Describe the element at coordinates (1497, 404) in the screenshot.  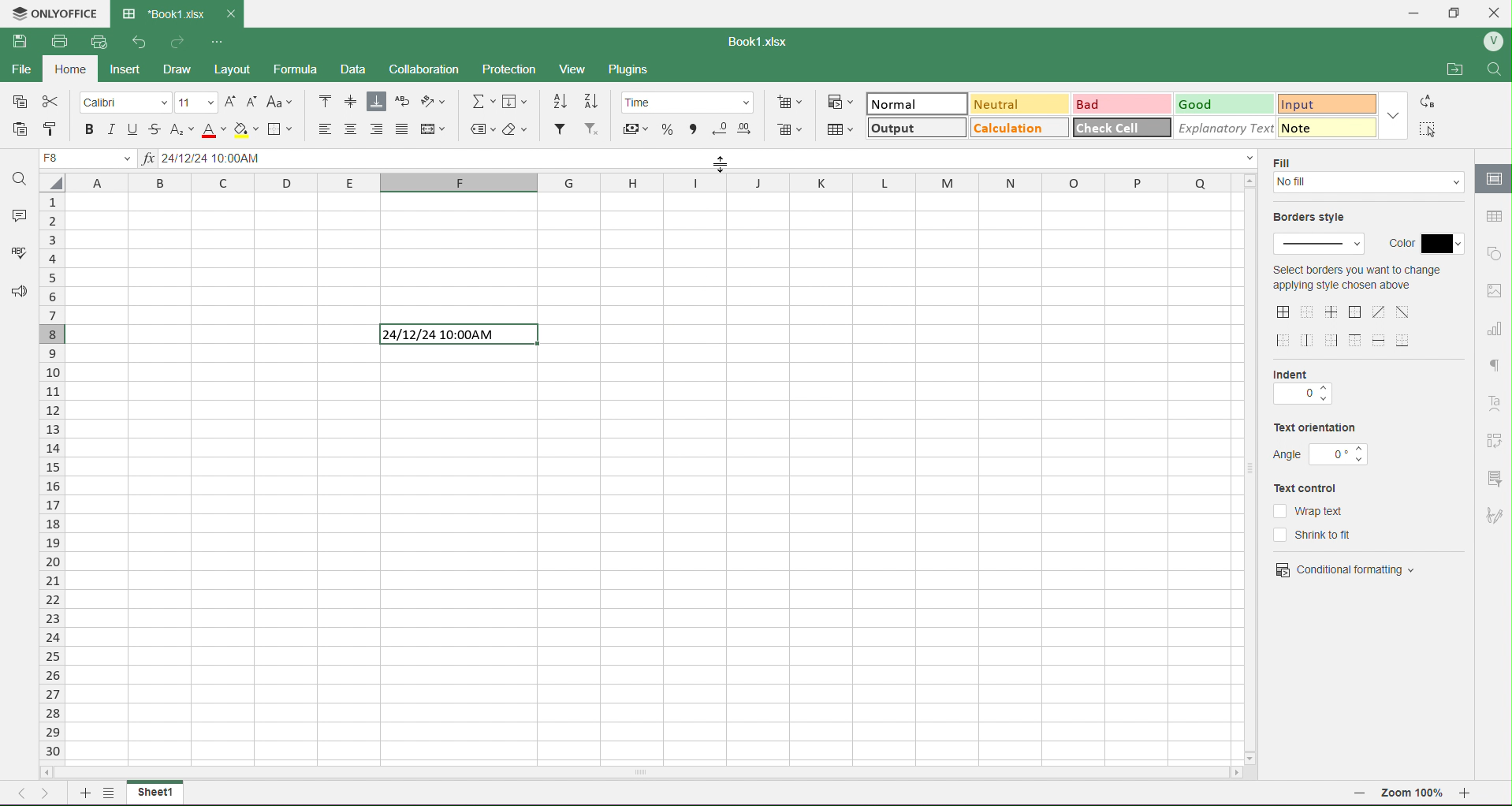
I see `text style` at that location.